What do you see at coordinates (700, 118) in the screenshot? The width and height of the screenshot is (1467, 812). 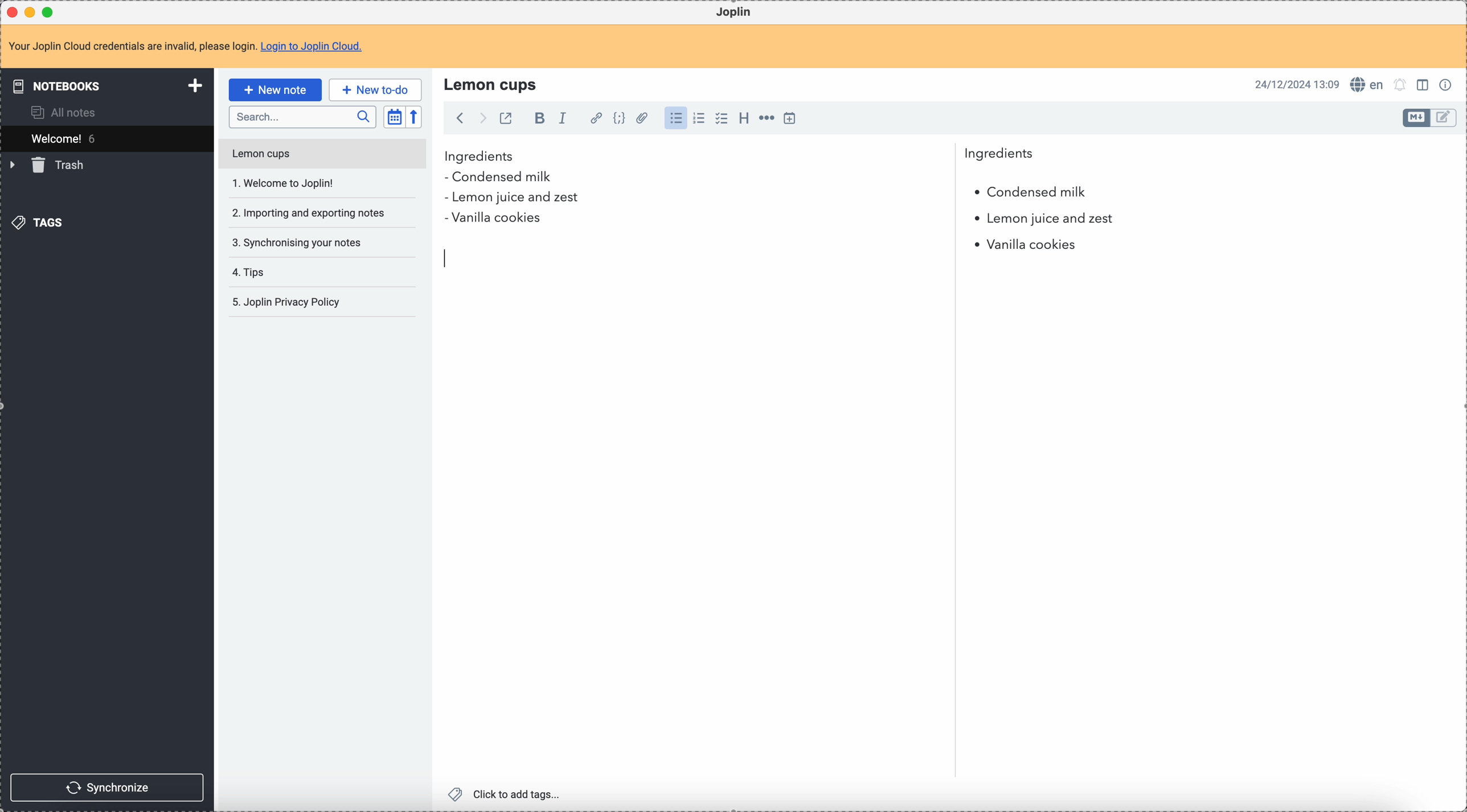 I see `numbered list` at bounding box center [700, 118].